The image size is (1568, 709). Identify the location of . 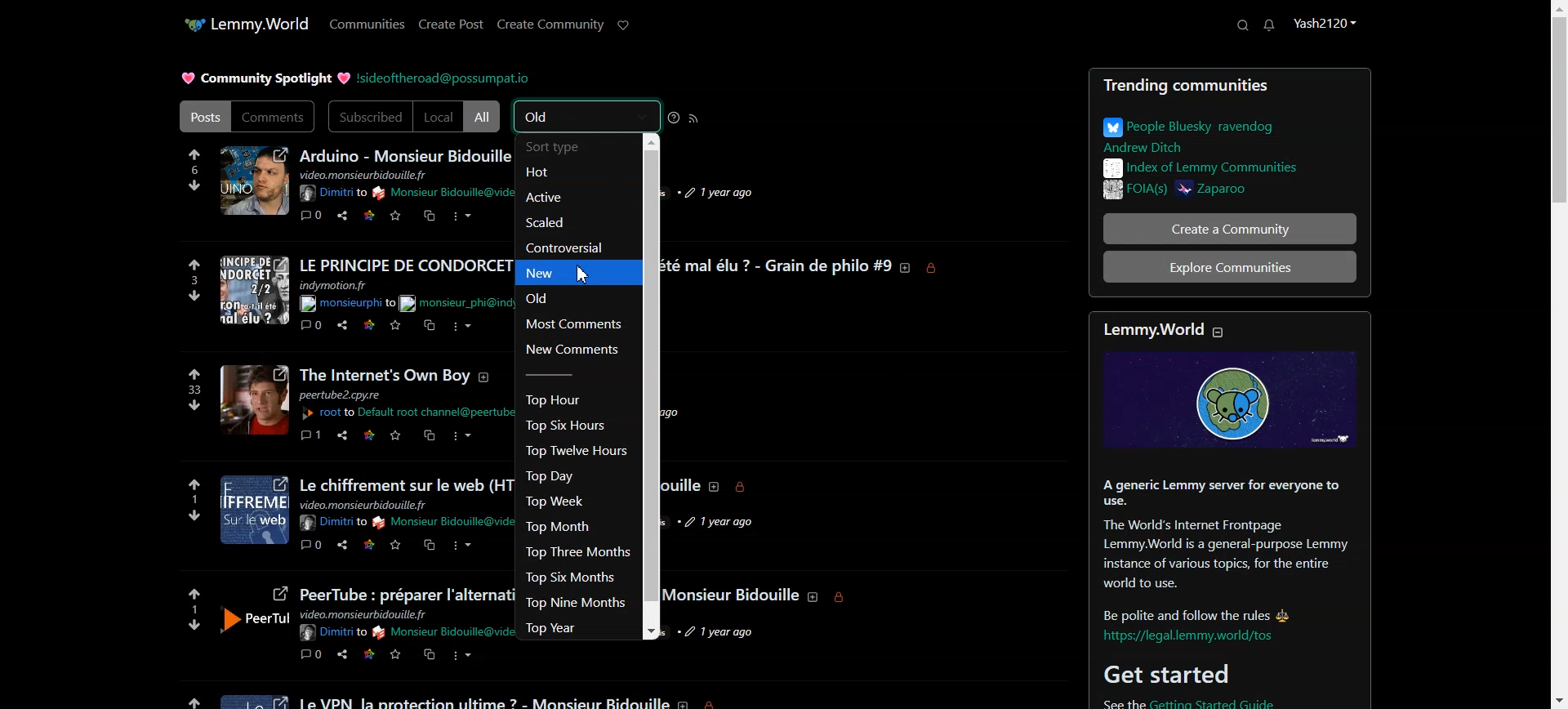
(428, 326).